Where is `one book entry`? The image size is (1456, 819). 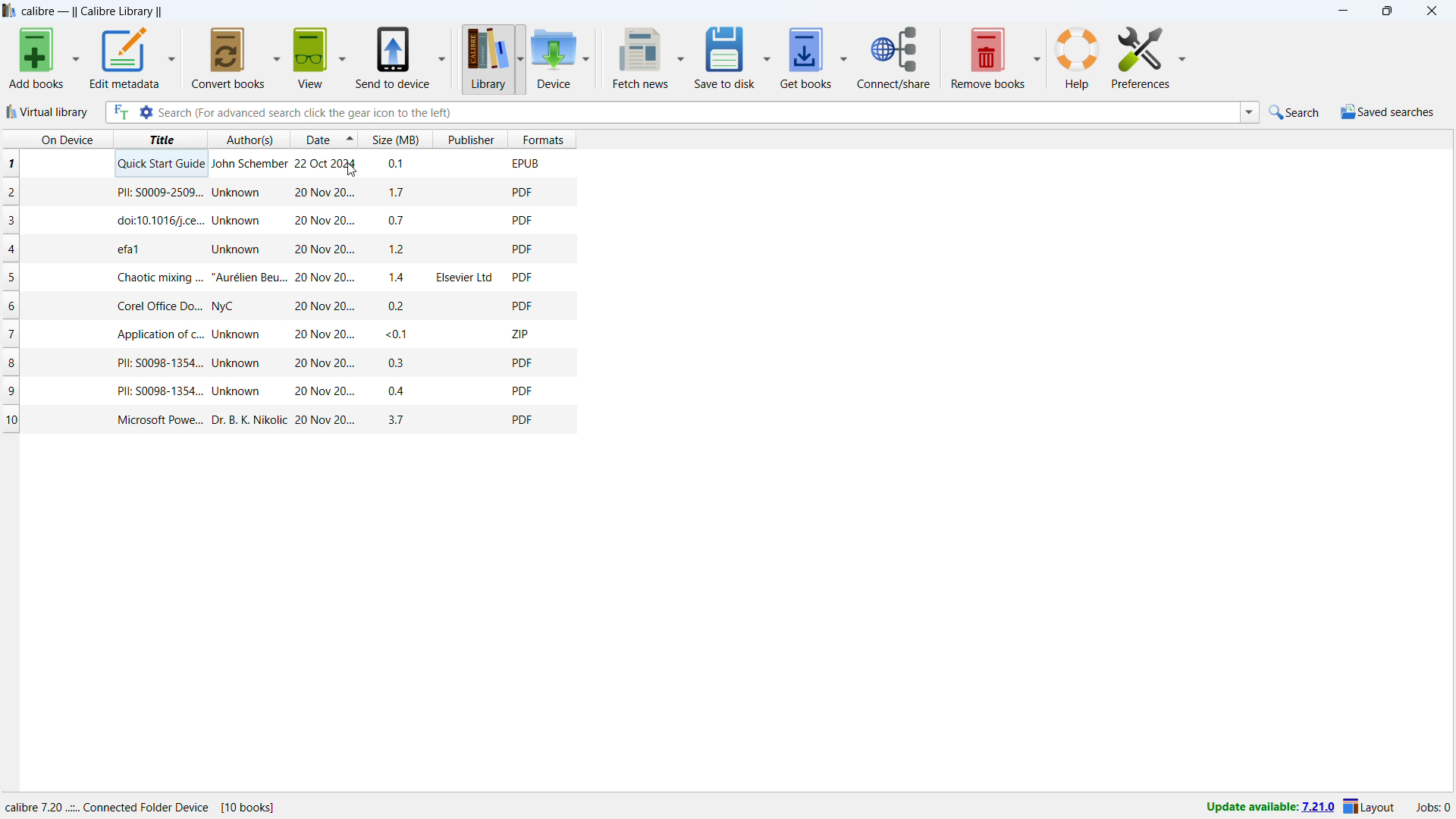 one book entry is located at coordinates (286, 306).